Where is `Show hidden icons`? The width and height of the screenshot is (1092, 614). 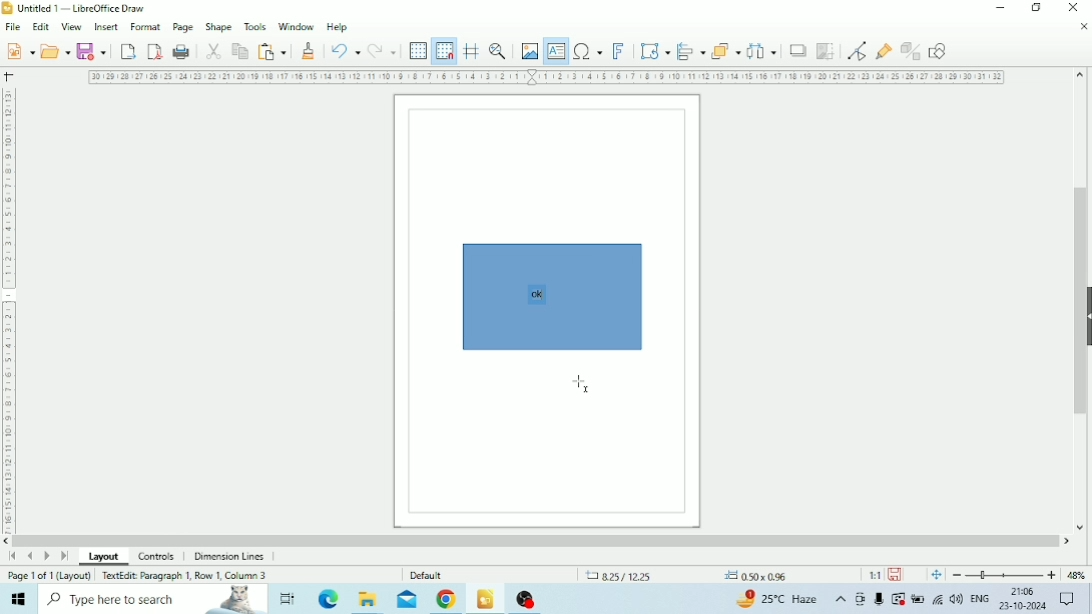 Show hidden icons is located at coordinates (841, 599).